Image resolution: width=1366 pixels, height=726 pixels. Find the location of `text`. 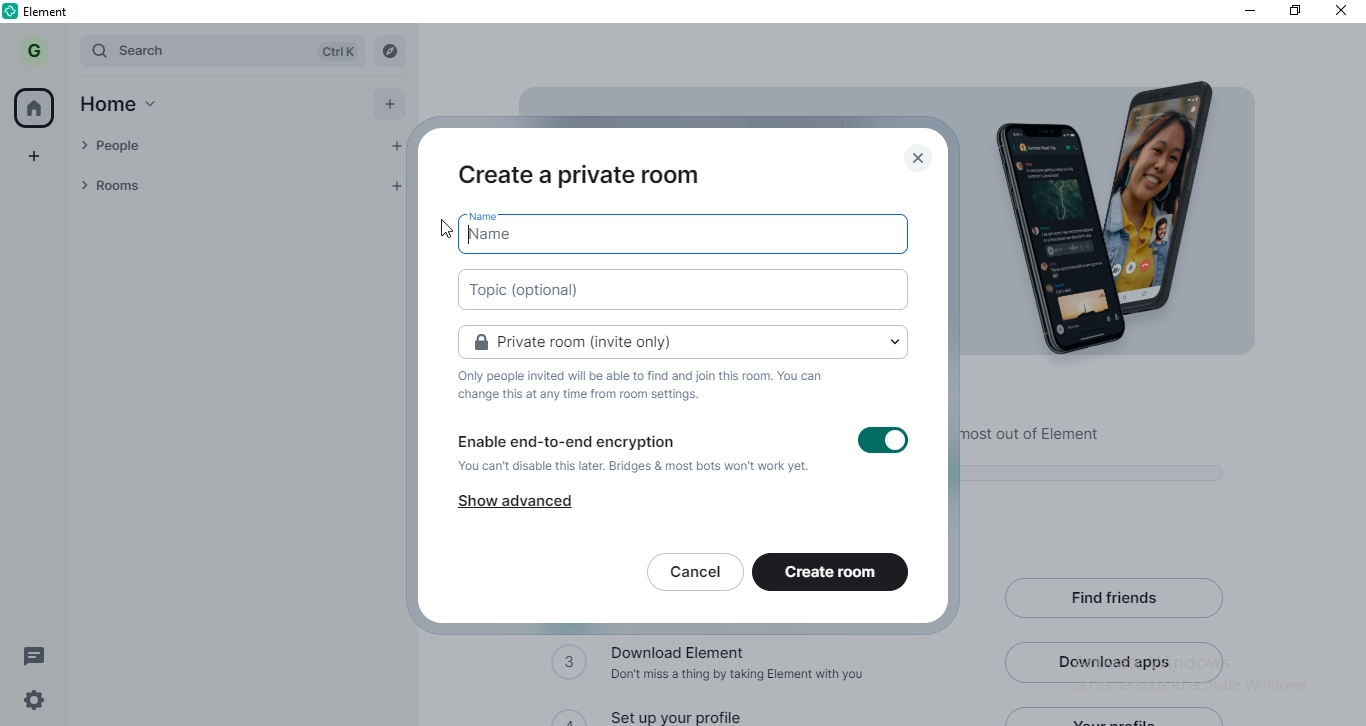

text is located at coordinates (648, 386).